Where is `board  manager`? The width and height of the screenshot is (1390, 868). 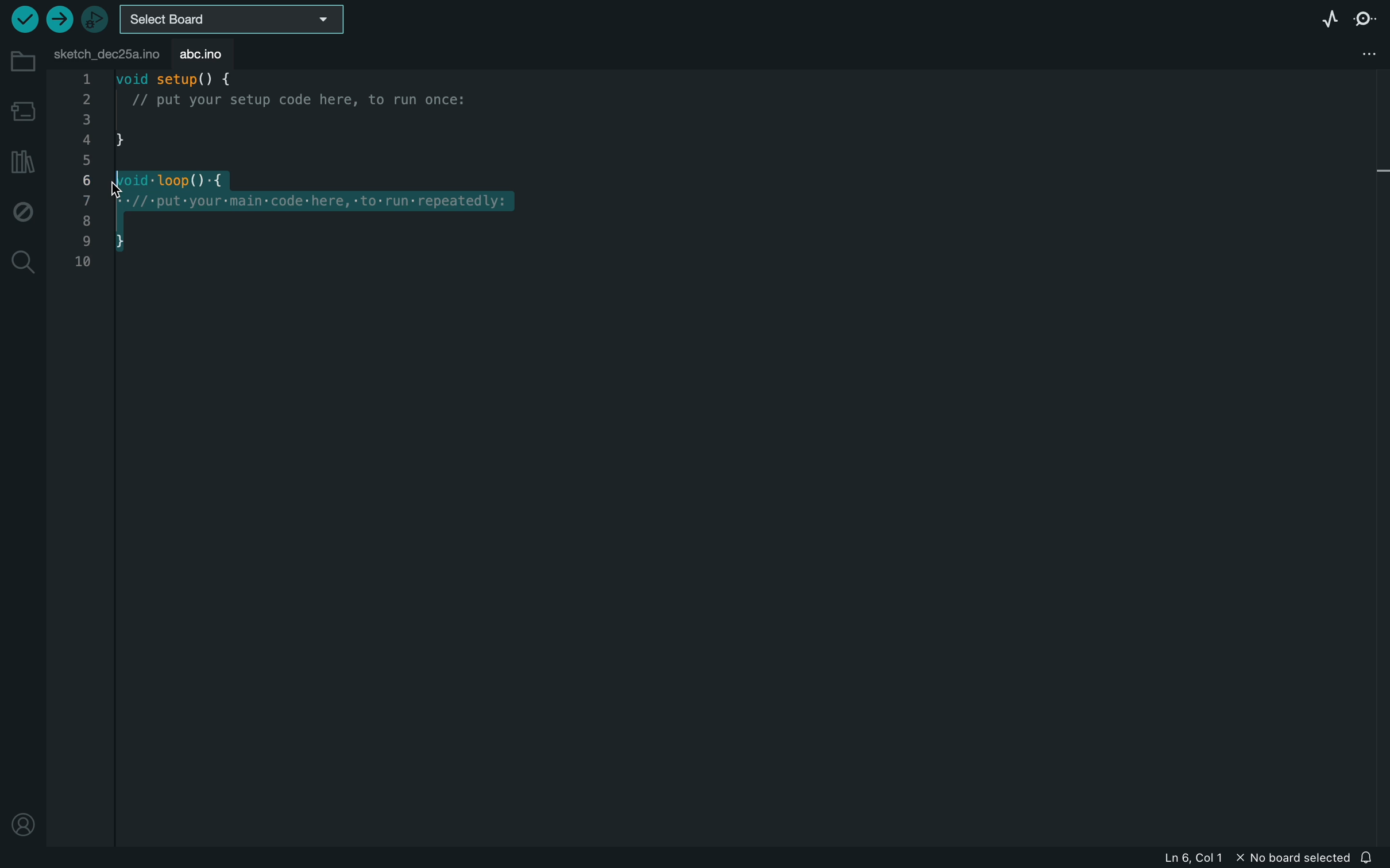 board  manager is located at coordinates (21, 110).